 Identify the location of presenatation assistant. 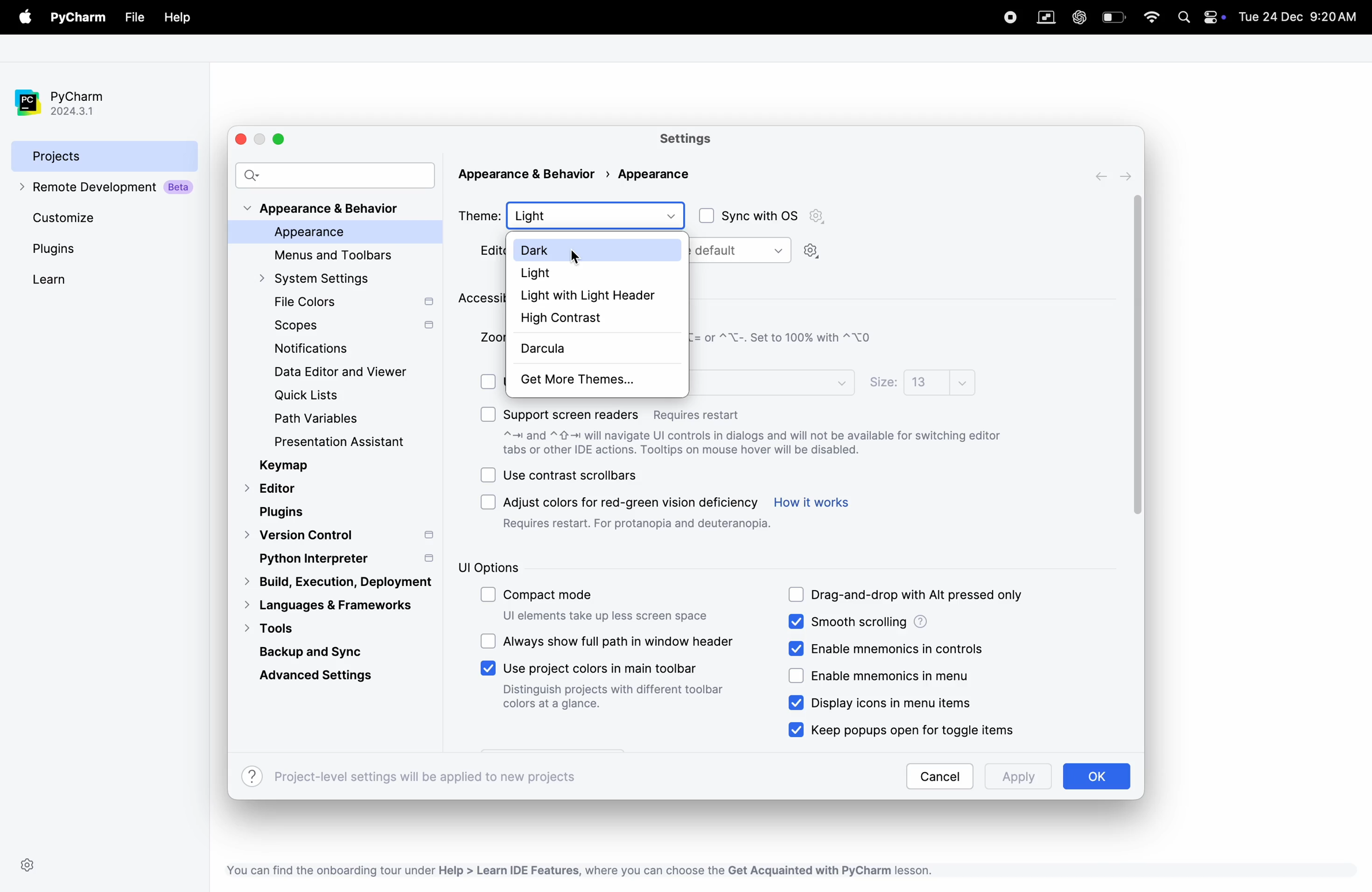
(357, 444).